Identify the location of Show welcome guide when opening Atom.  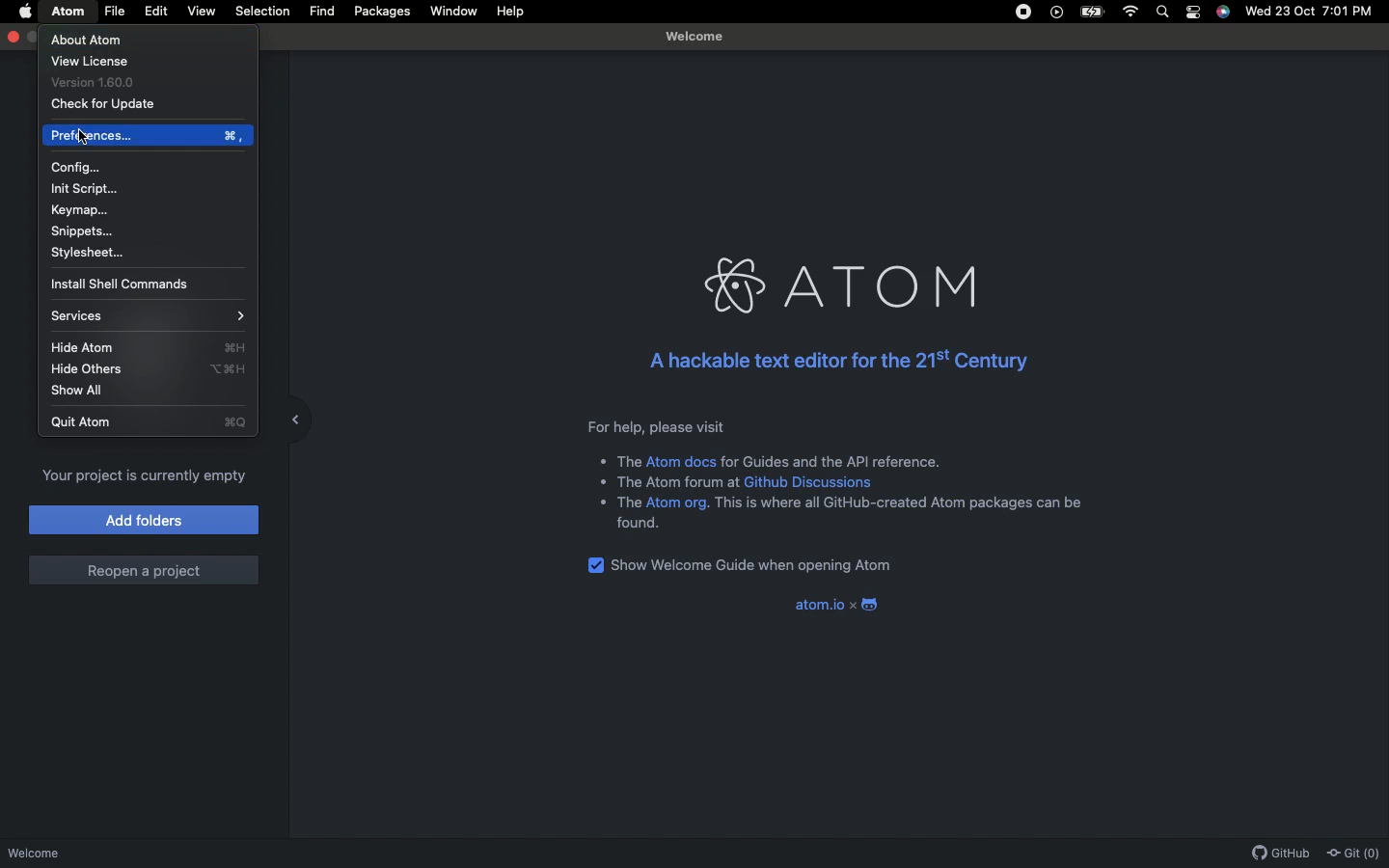
(741, 567).